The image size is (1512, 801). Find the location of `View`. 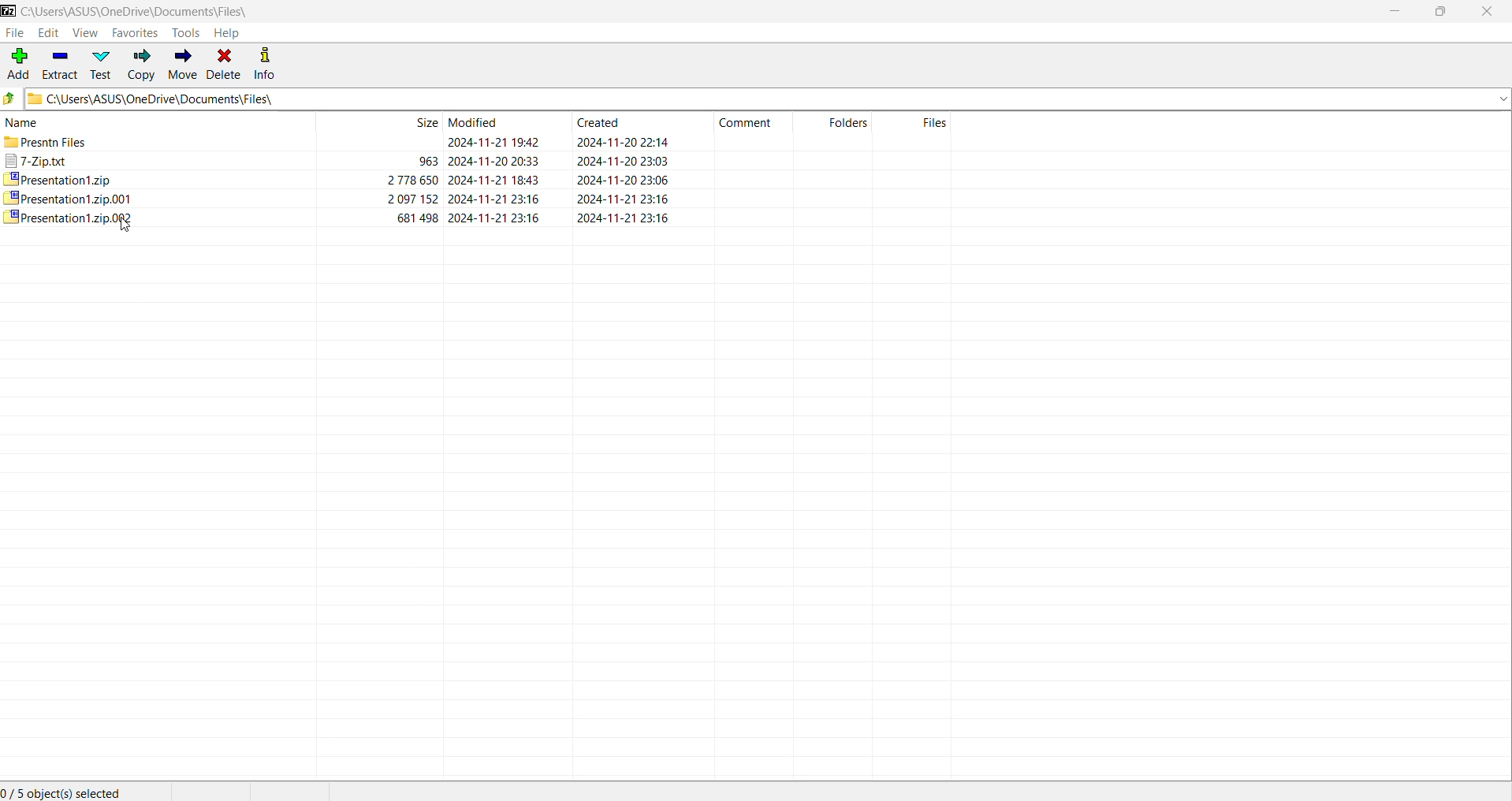

View is located at coordinates (85, 32).